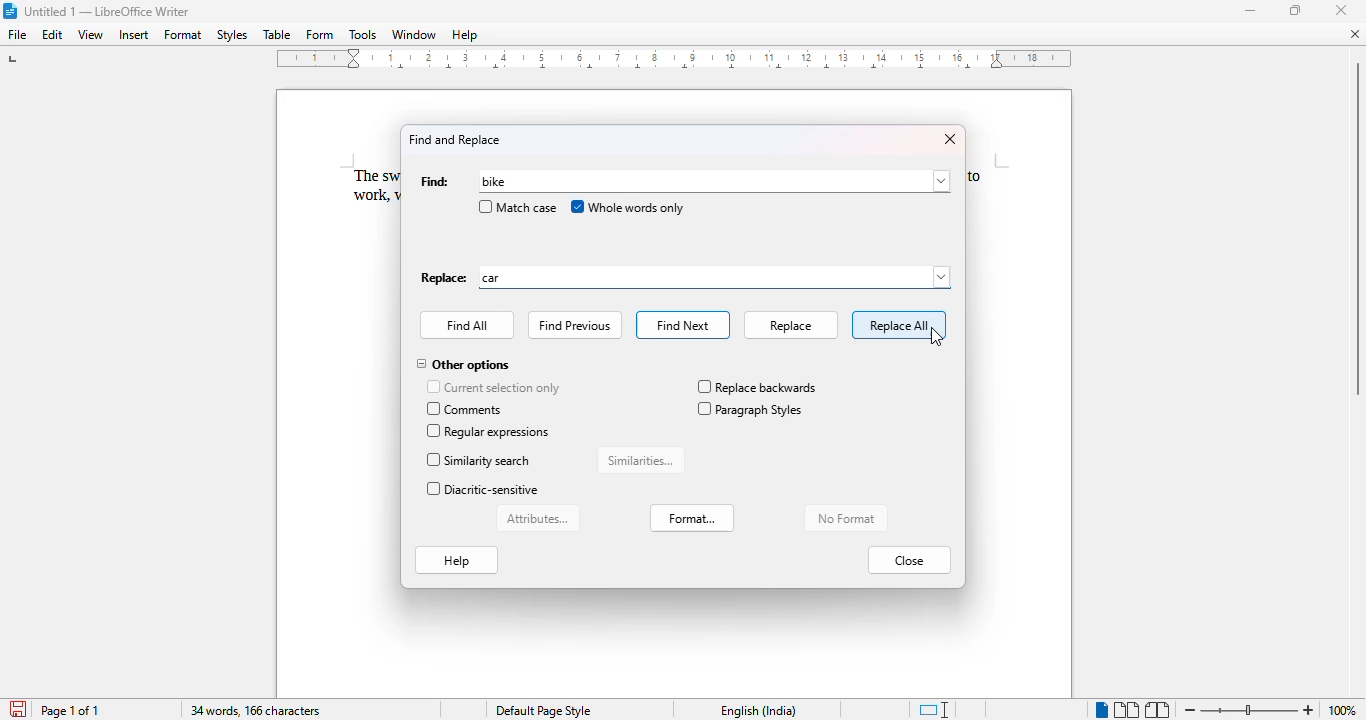  Describe the element at coordinates (493, 181) in the screenshot. I see `typing` at that location.